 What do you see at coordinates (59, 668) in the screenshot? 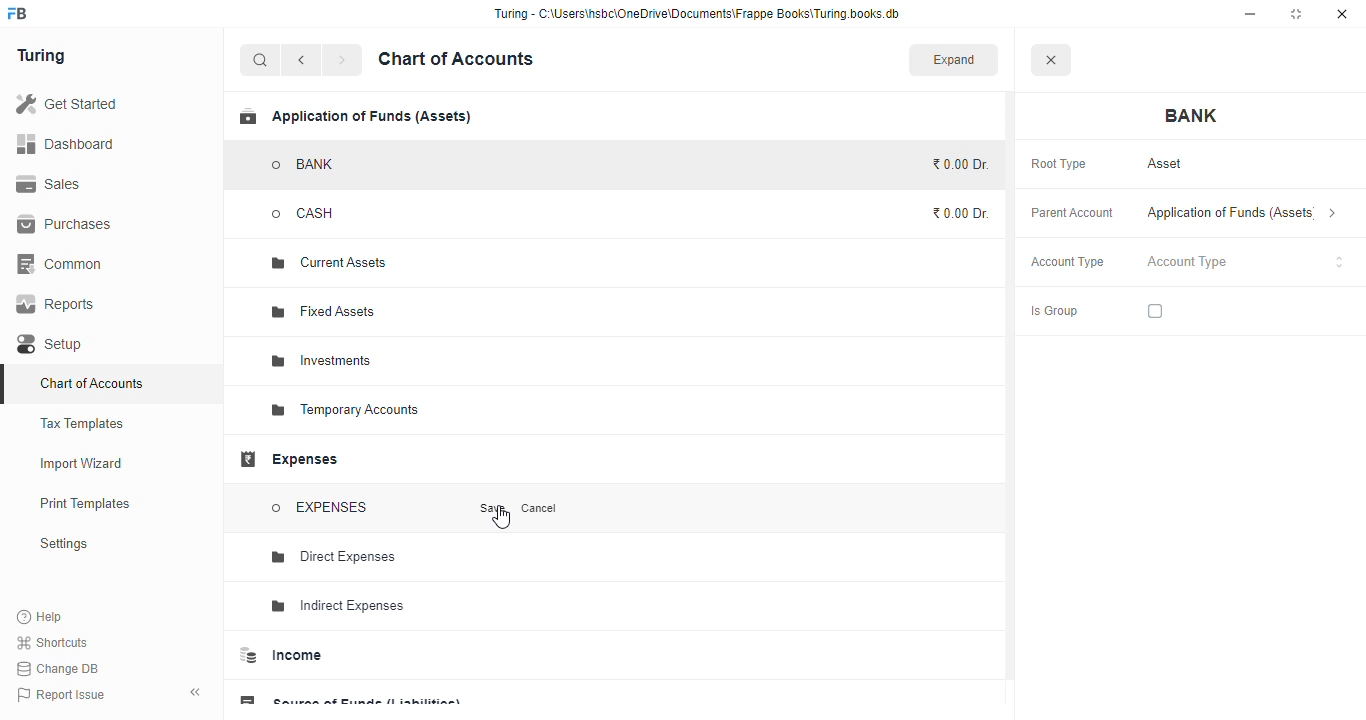
I see `change DB` at bounding box center [59, 668].